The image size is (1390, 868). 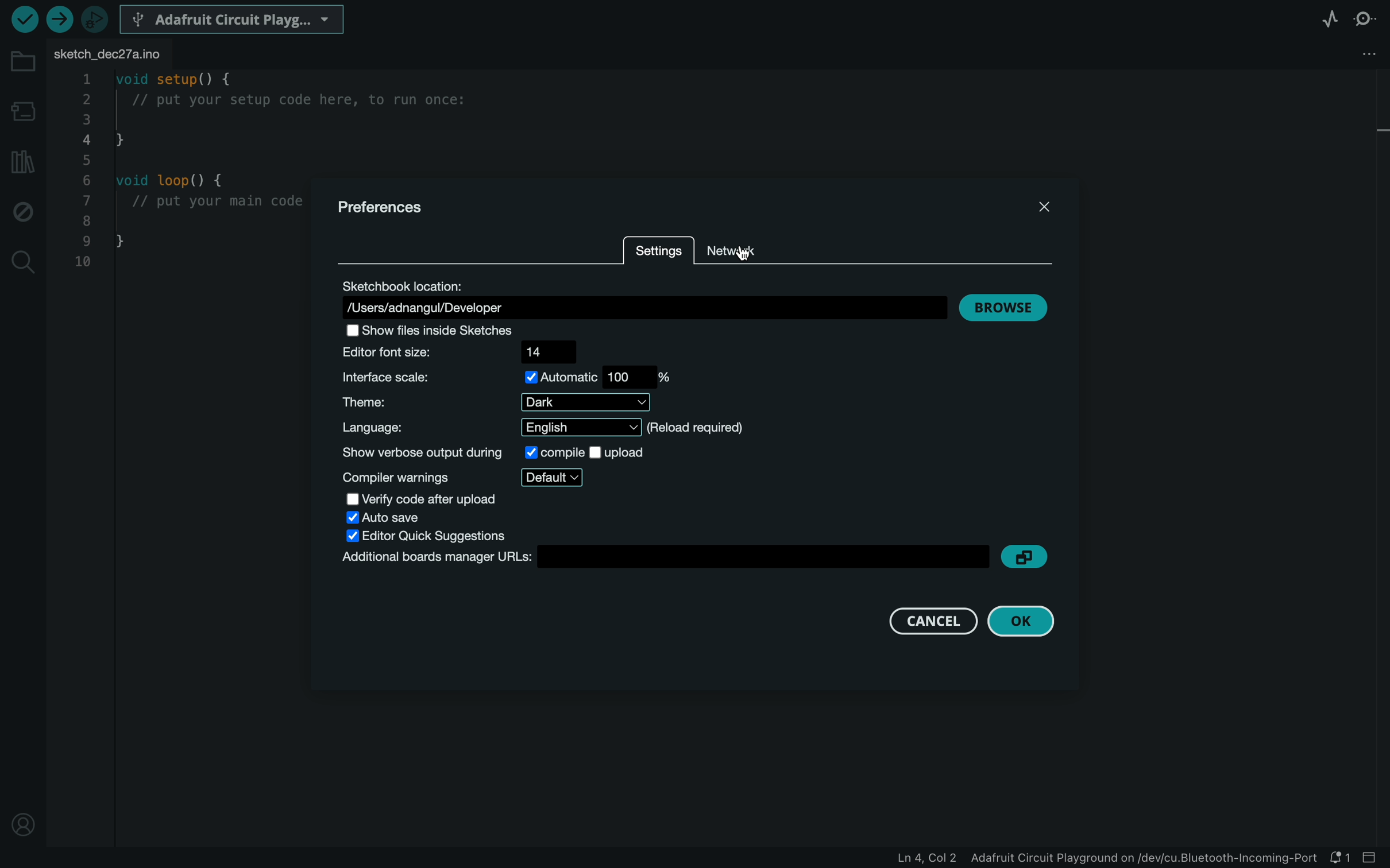 What do you see at coordinates (96, 19) in the screenshot?
I see `debugger` at bounding box center [96, 19].